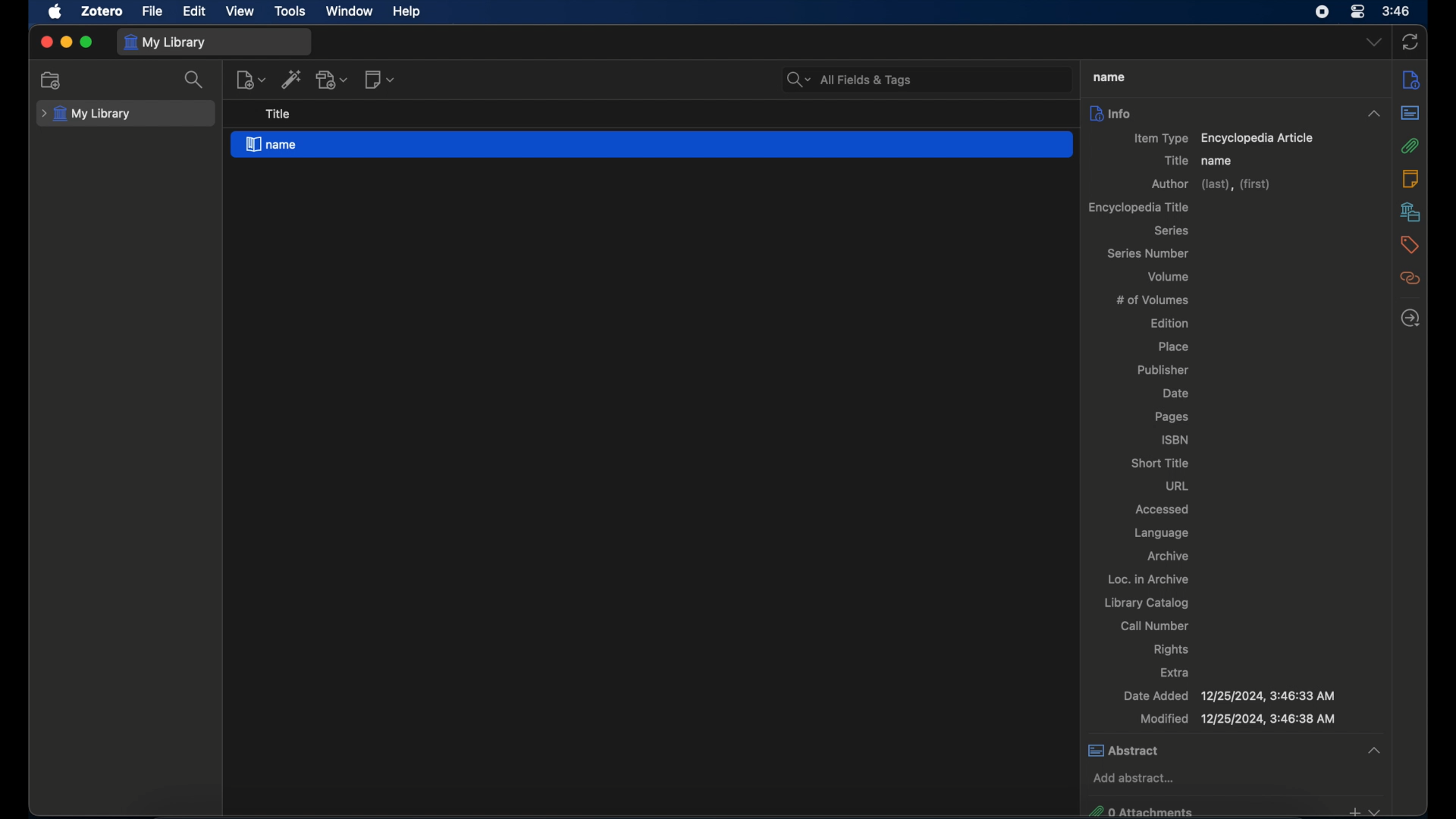 This screenshot has height=819, width=1456. Describe the element at coordinates (1162, 509) in the screenshot. I see `accessed` at that location.